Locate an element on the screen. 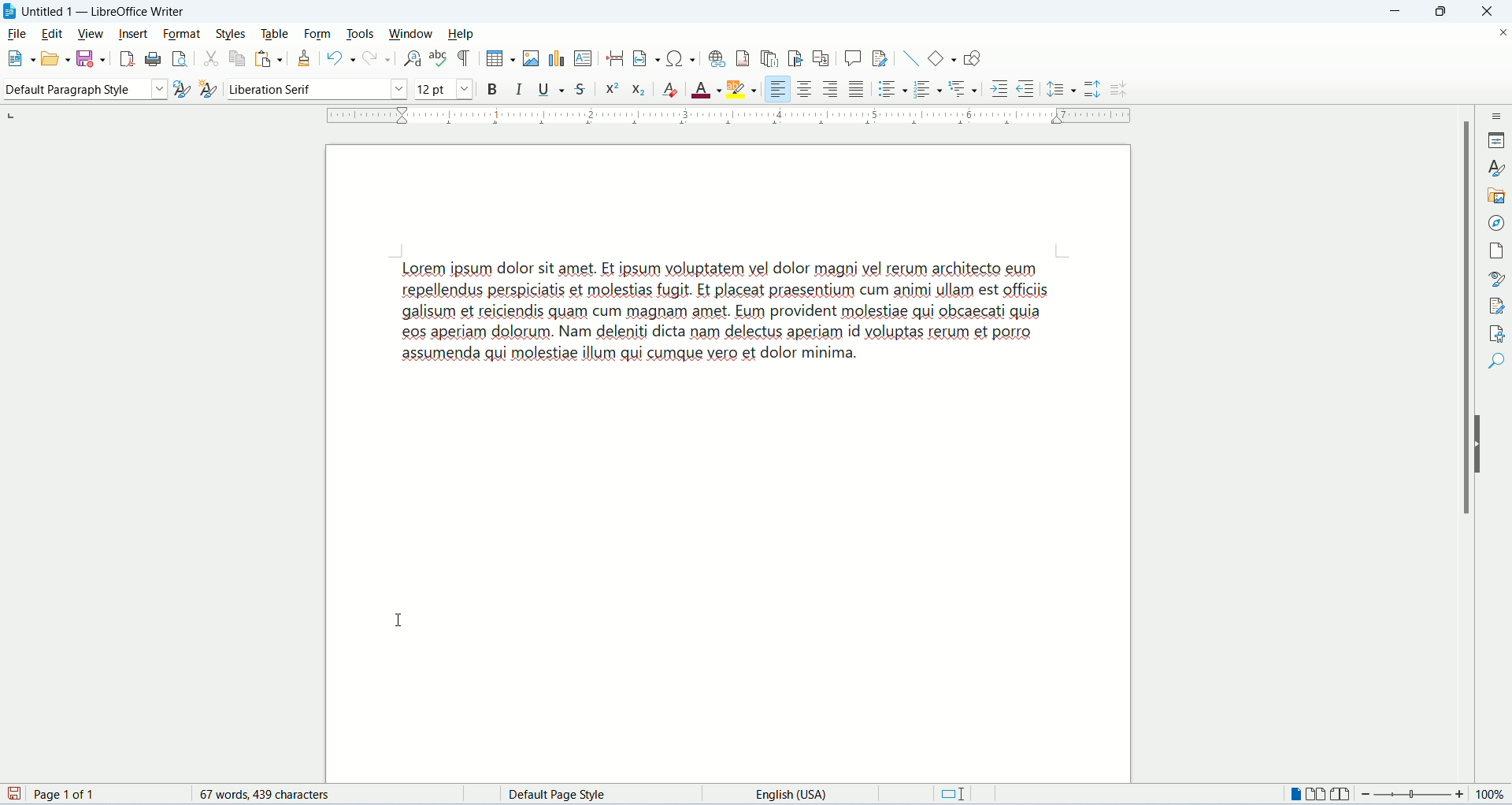 The height and width of the screenshot is (805, 1512). default page style is located at coordinates (563, 794).